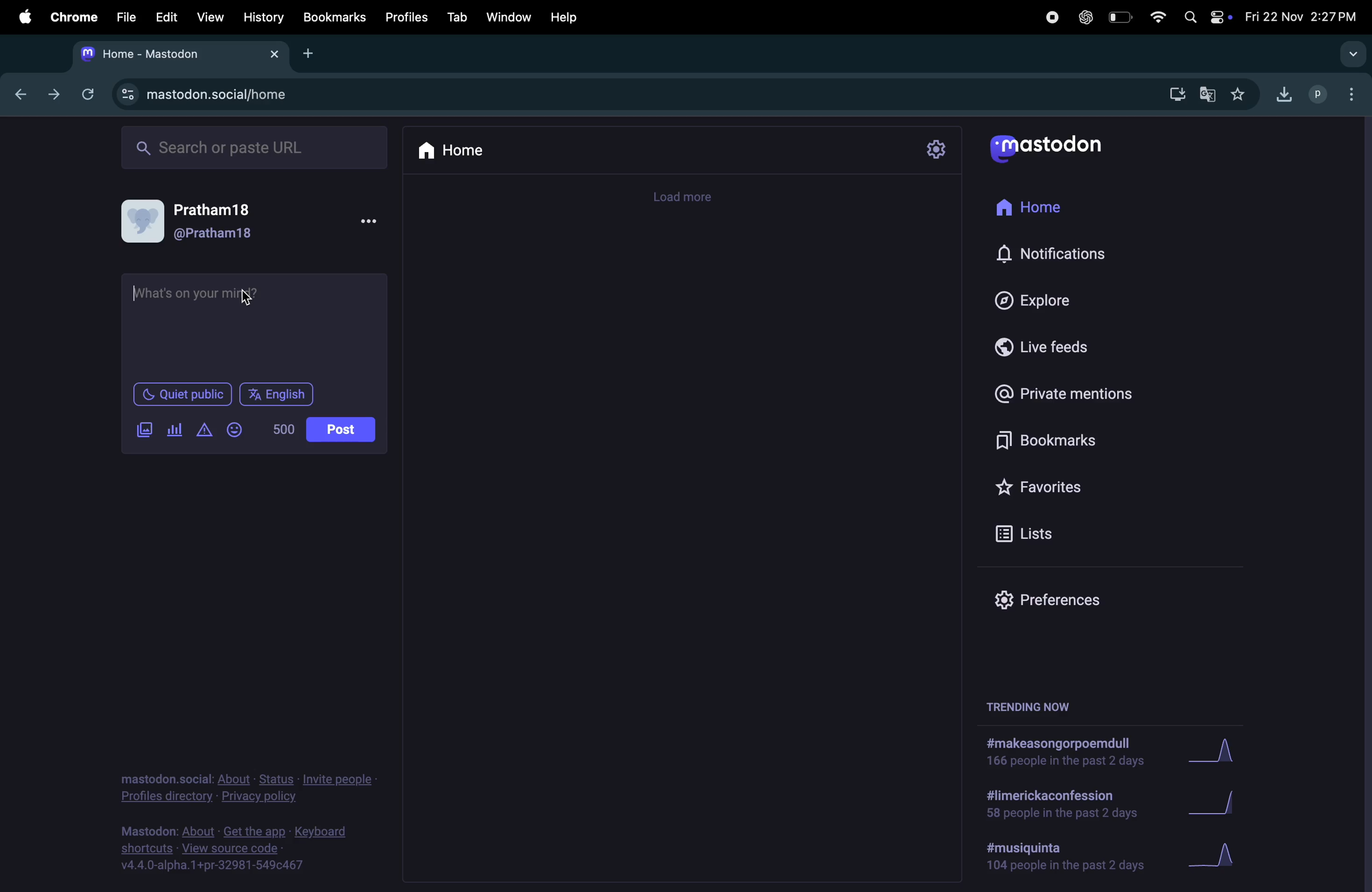 The image size is (1372, 892). I want to click on explore, so click(1078, 300).